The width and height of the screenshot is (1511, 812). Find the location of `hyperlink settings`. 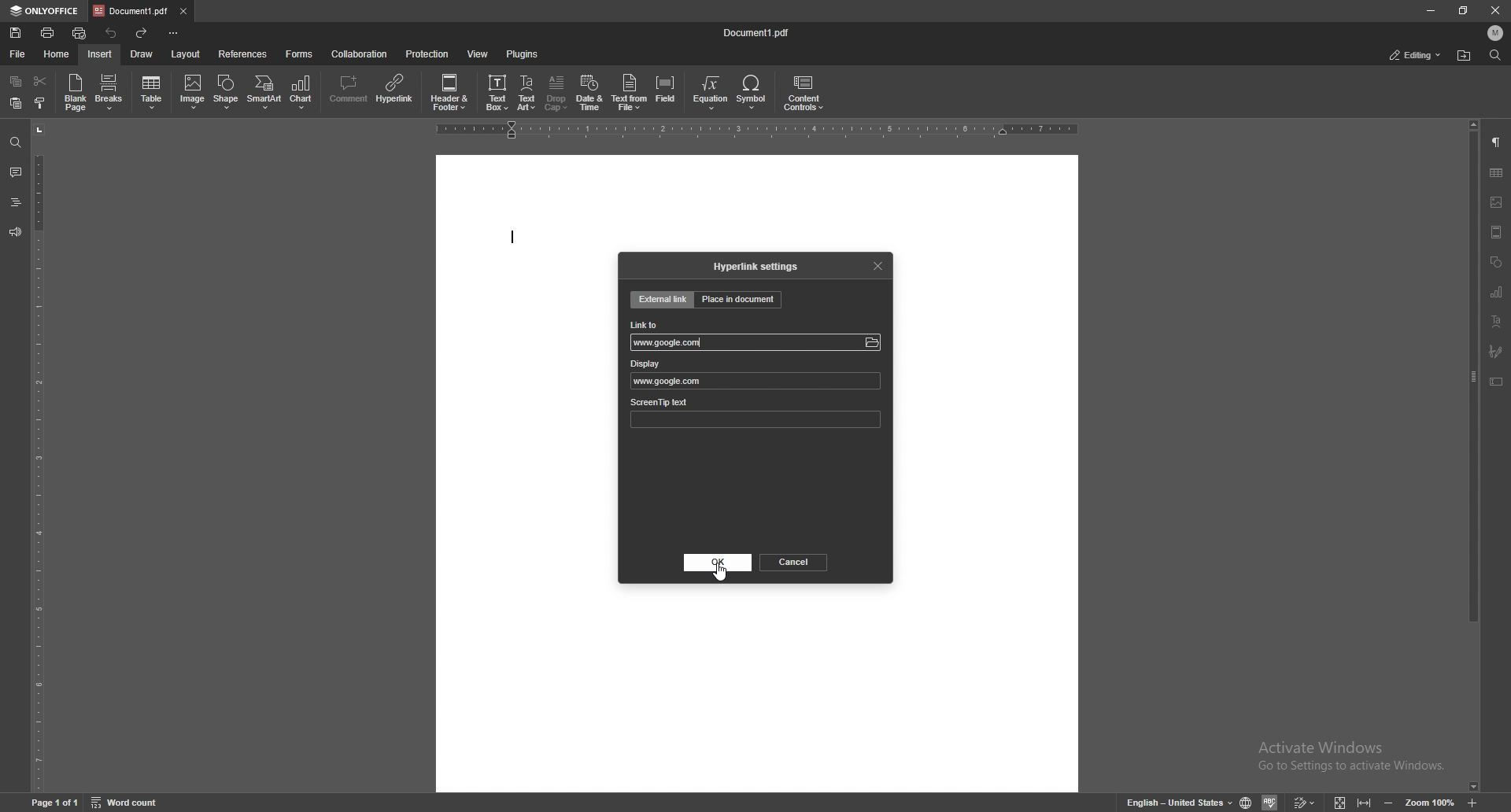

hyperlink settings is located at coordinates (758, 266).